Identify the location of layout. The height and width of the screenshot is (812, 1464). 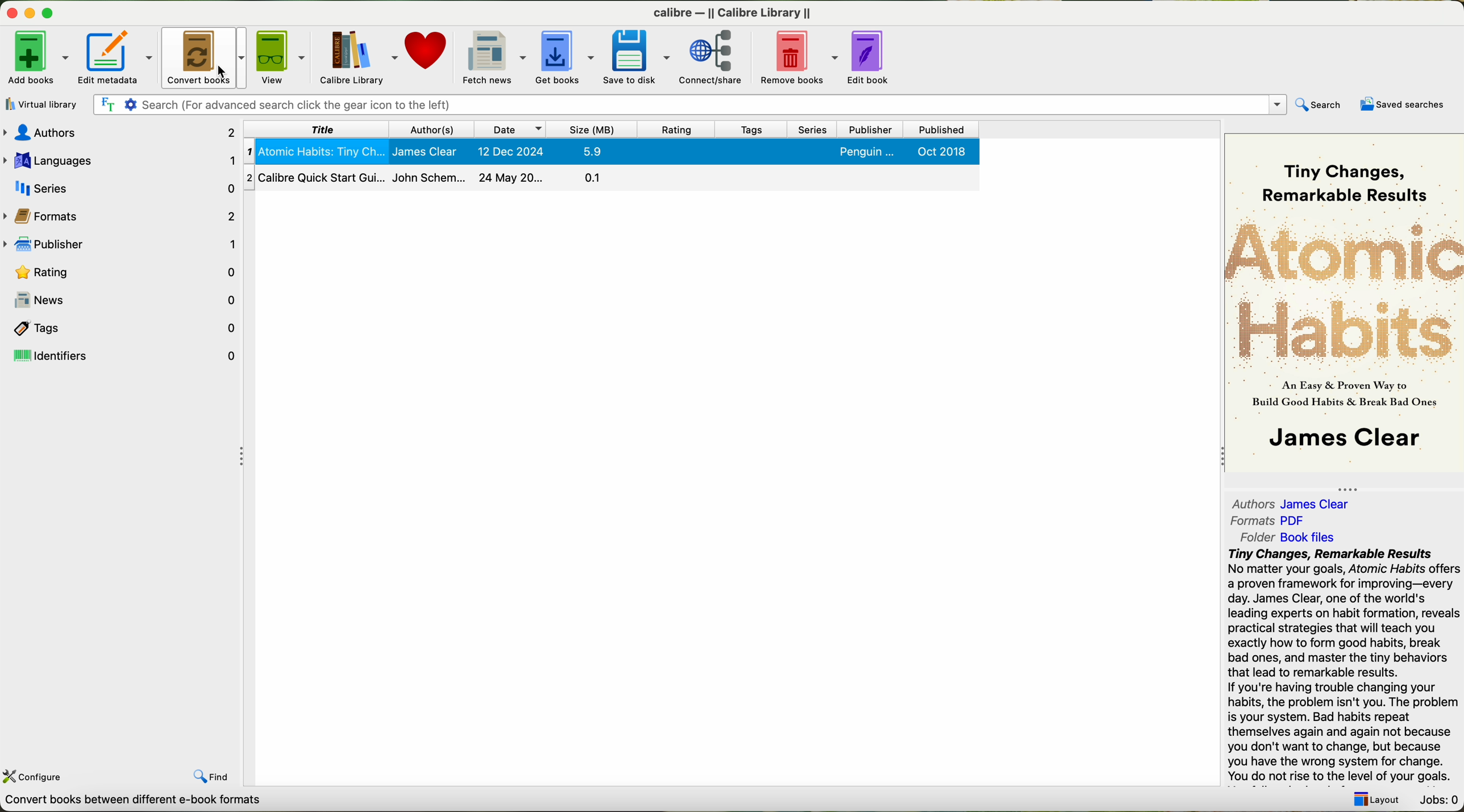
(1376, 799).